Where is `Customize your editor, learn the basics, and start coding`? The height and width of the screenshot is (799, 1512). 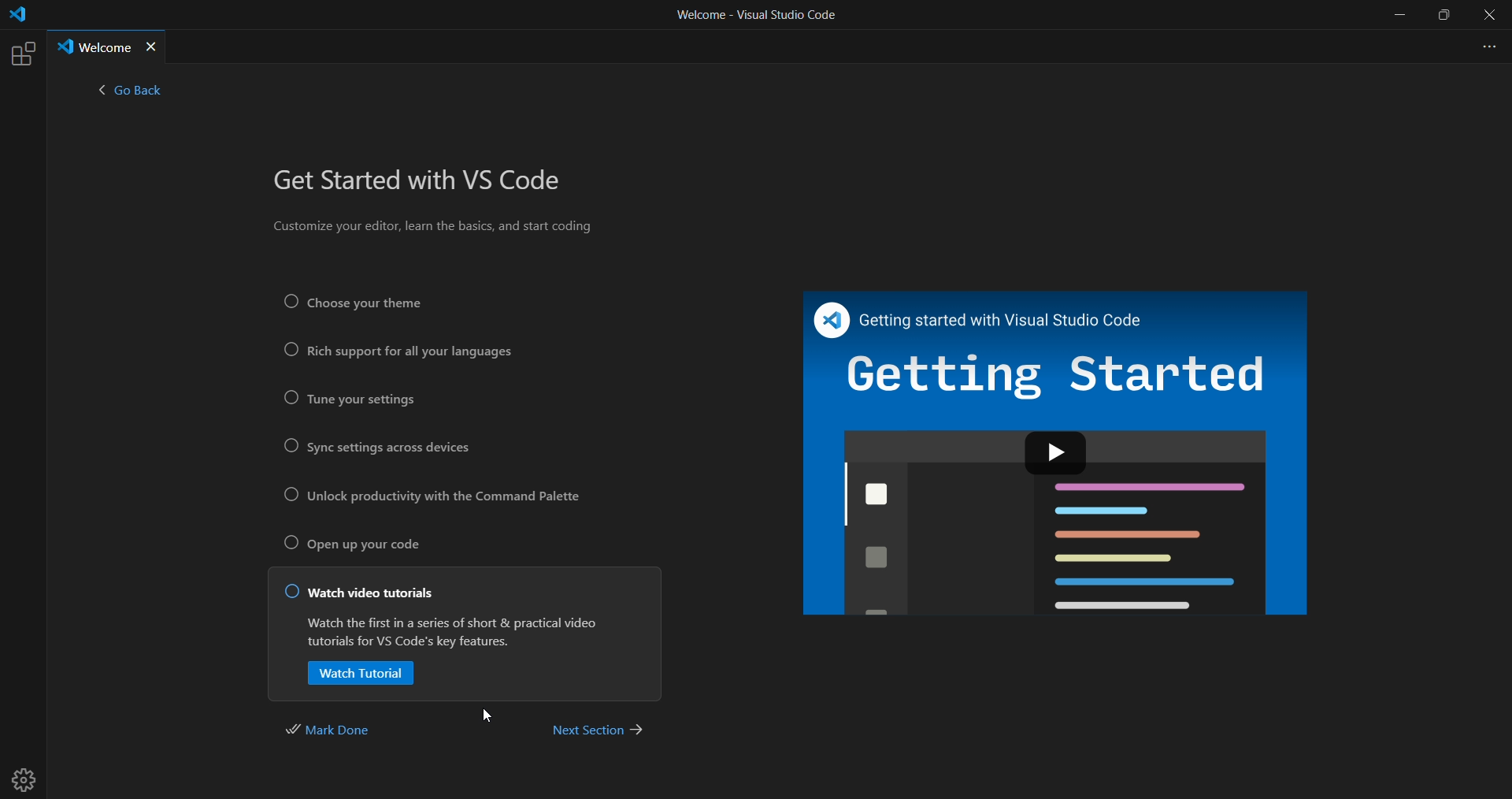 Customize your editor, learn the basics, and start coding is located at coordinates (436, 229).